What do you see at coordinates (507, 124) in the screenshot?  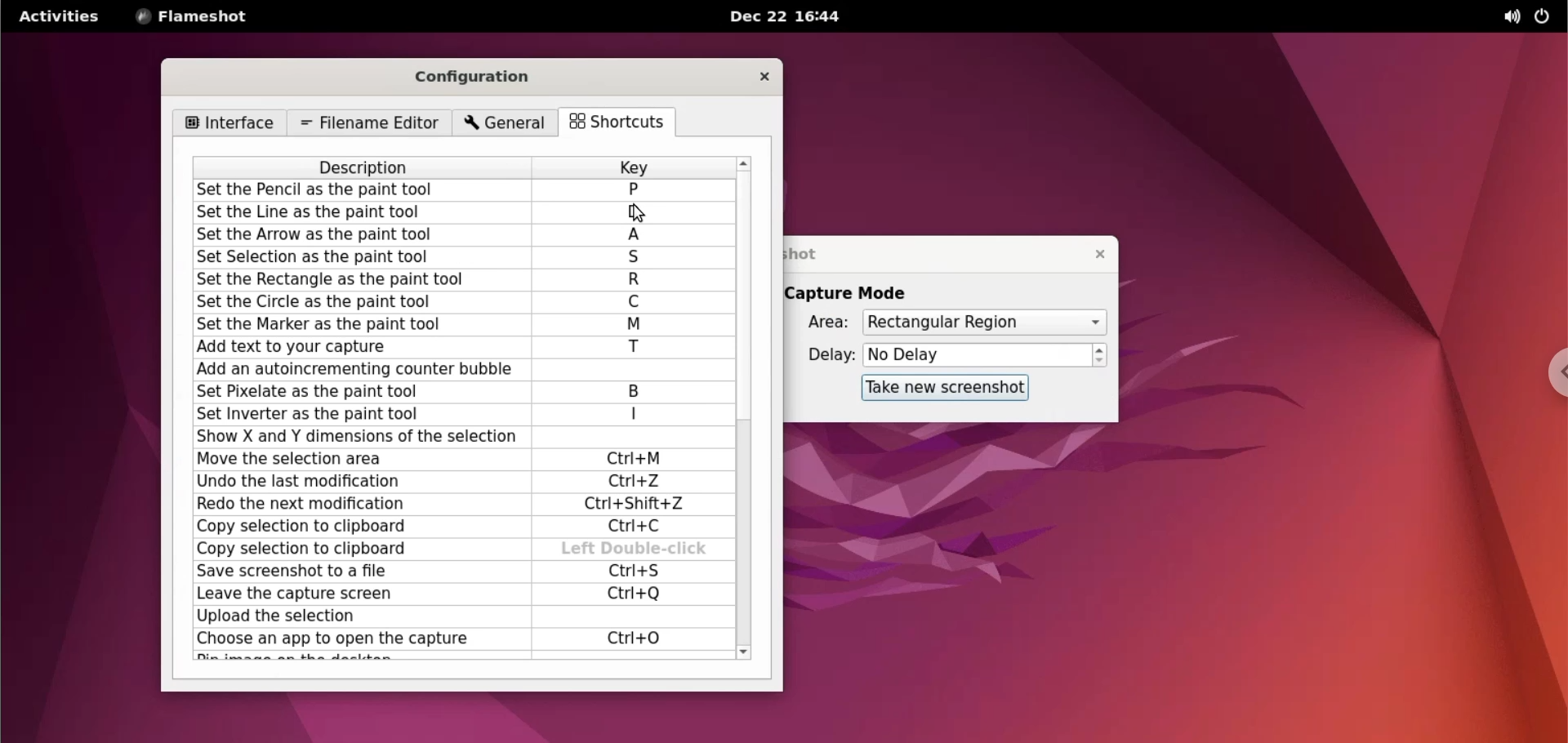 I see `general` at bounding box center [507, 124].